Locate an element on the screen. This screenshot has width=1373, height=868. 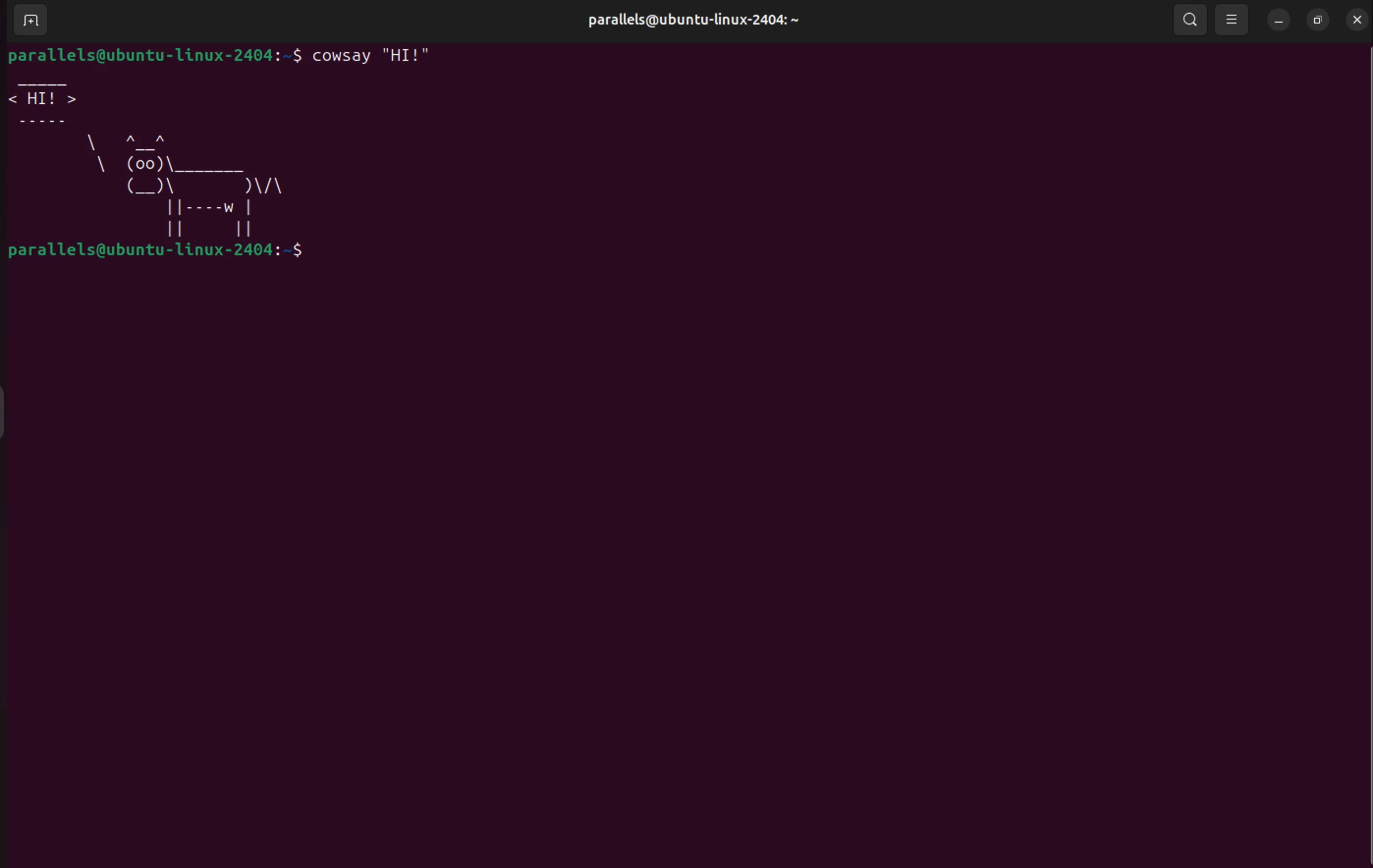
text image of cowsaying Hi is located at coordinates (159, 158).